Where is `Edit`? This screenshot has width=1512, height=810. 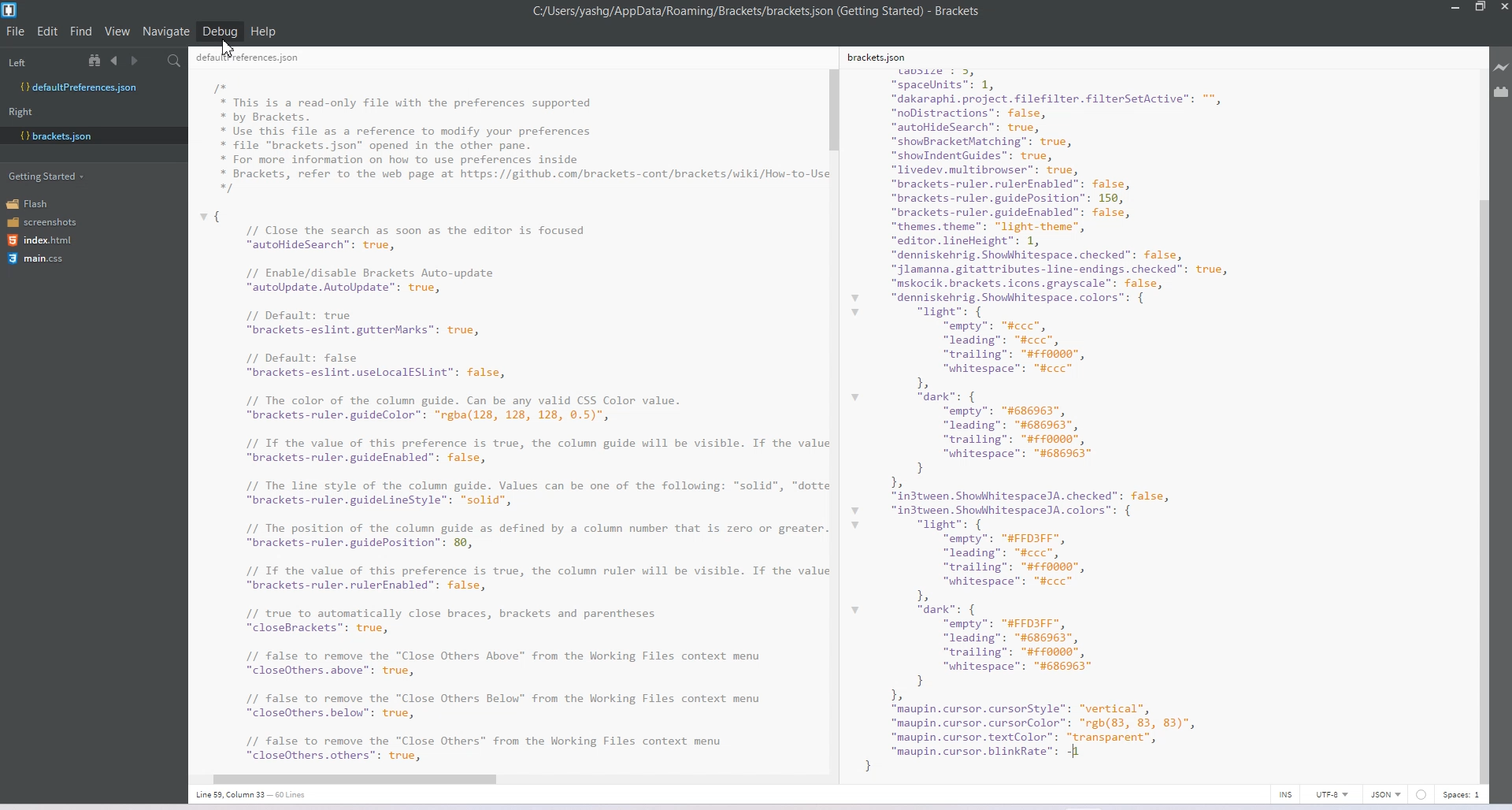 Edit is located at coordinates (49, 31).